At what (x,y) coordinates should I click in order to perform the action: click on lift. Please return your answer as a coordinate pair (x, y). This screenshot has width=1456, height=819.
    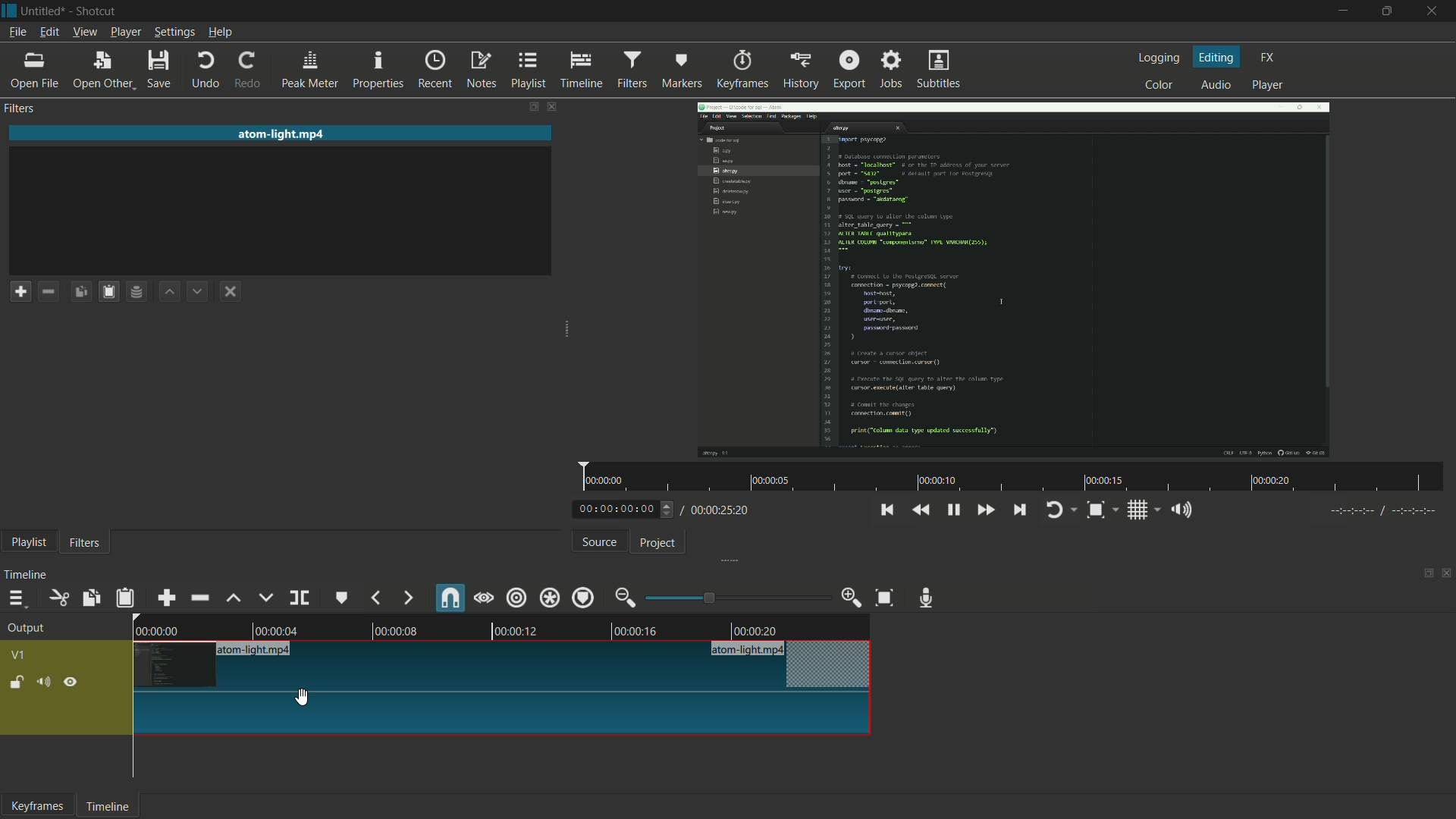
    Looking at the image, I should click on (236, 598).